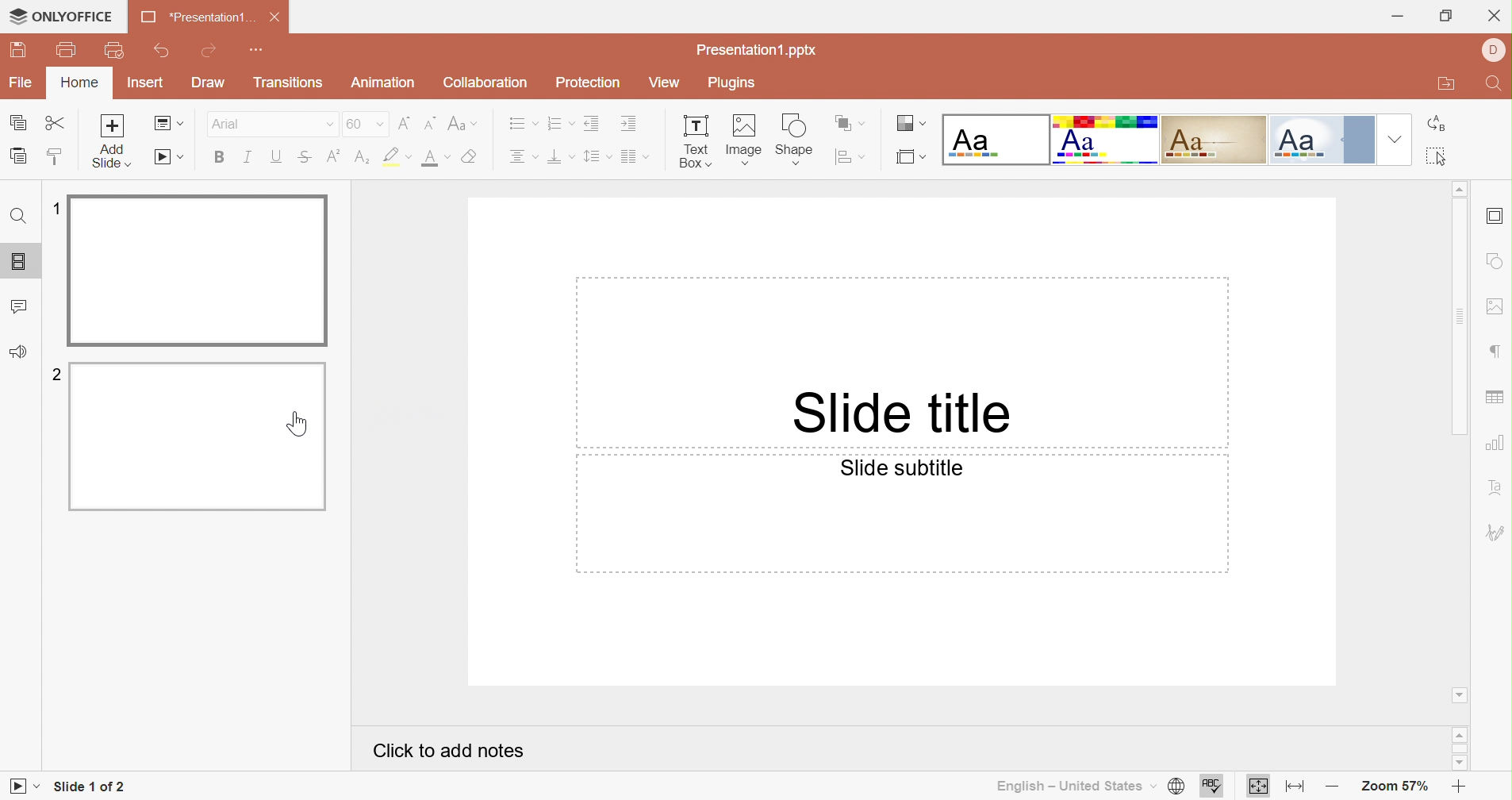  What do you see at coordinates (1491, 47) in the screenshot?
I see `DELL` at bounding box center [1491, 47].